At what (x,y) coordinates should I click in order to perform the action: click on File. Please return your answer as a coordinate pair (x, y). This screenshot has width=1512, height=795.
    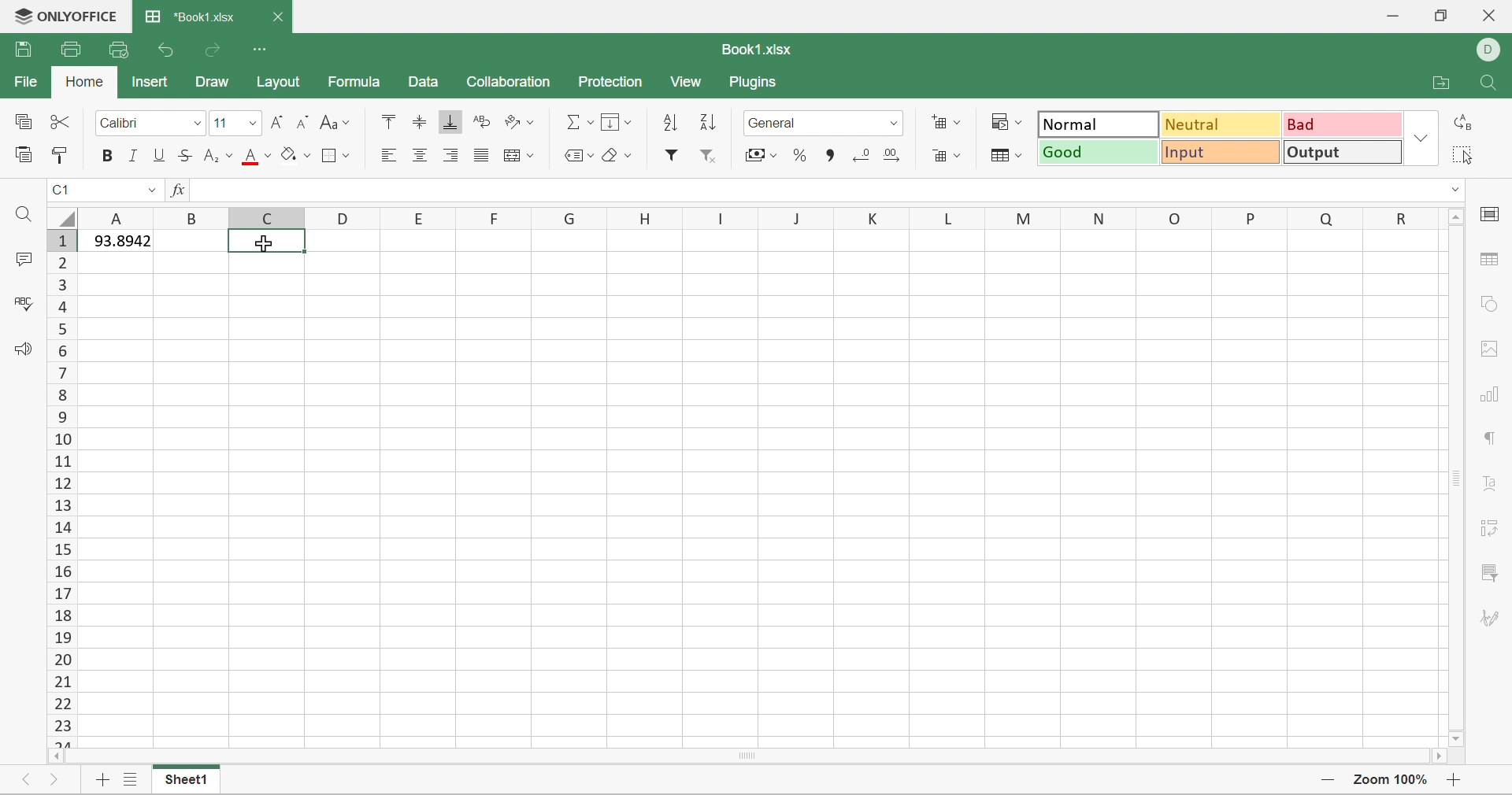
    Looking at the image, I should click on (24, 80).